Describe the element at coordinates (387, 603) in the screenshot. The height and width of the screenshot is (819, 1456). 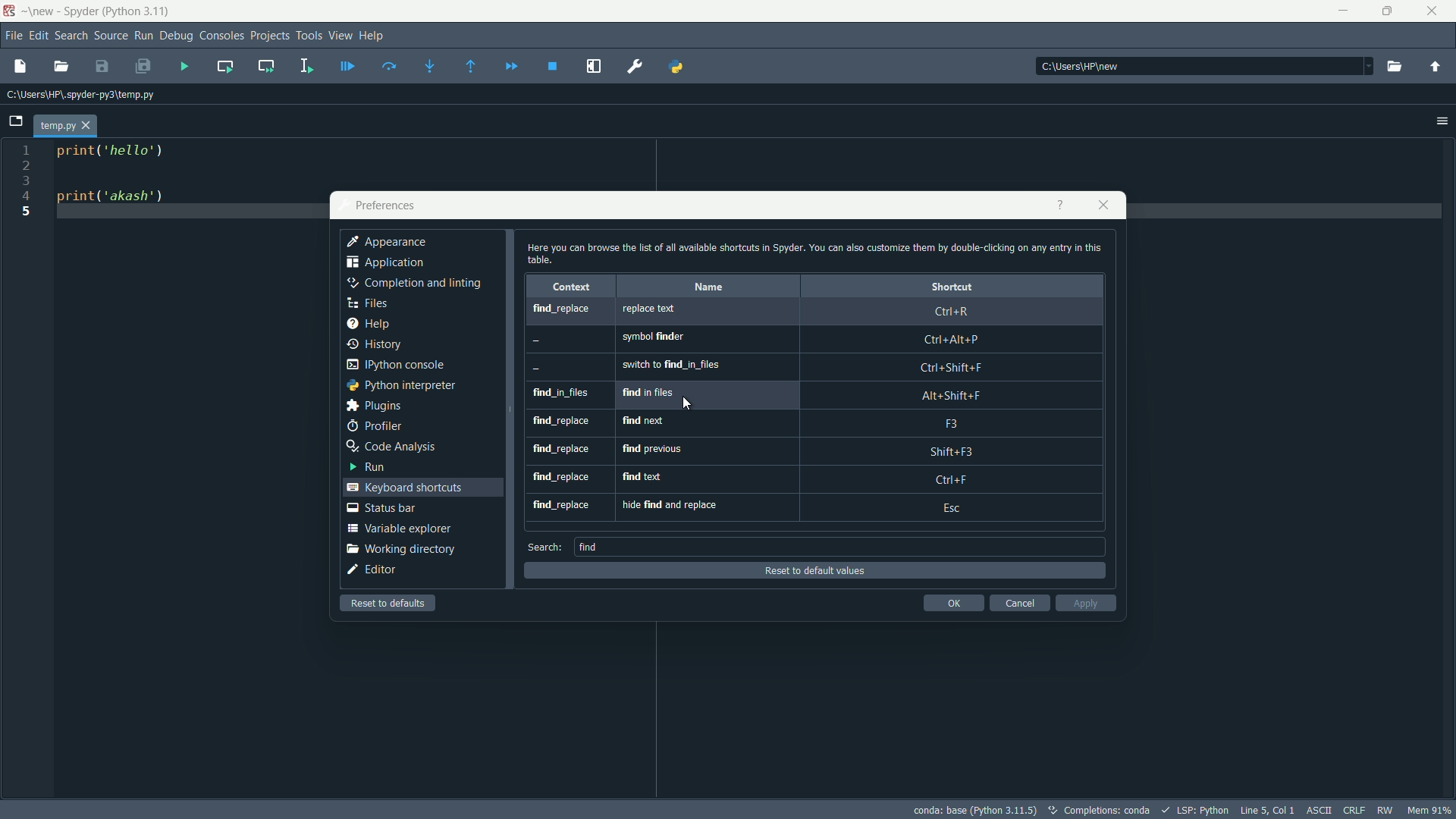
I see `reset to defaults` at that location.